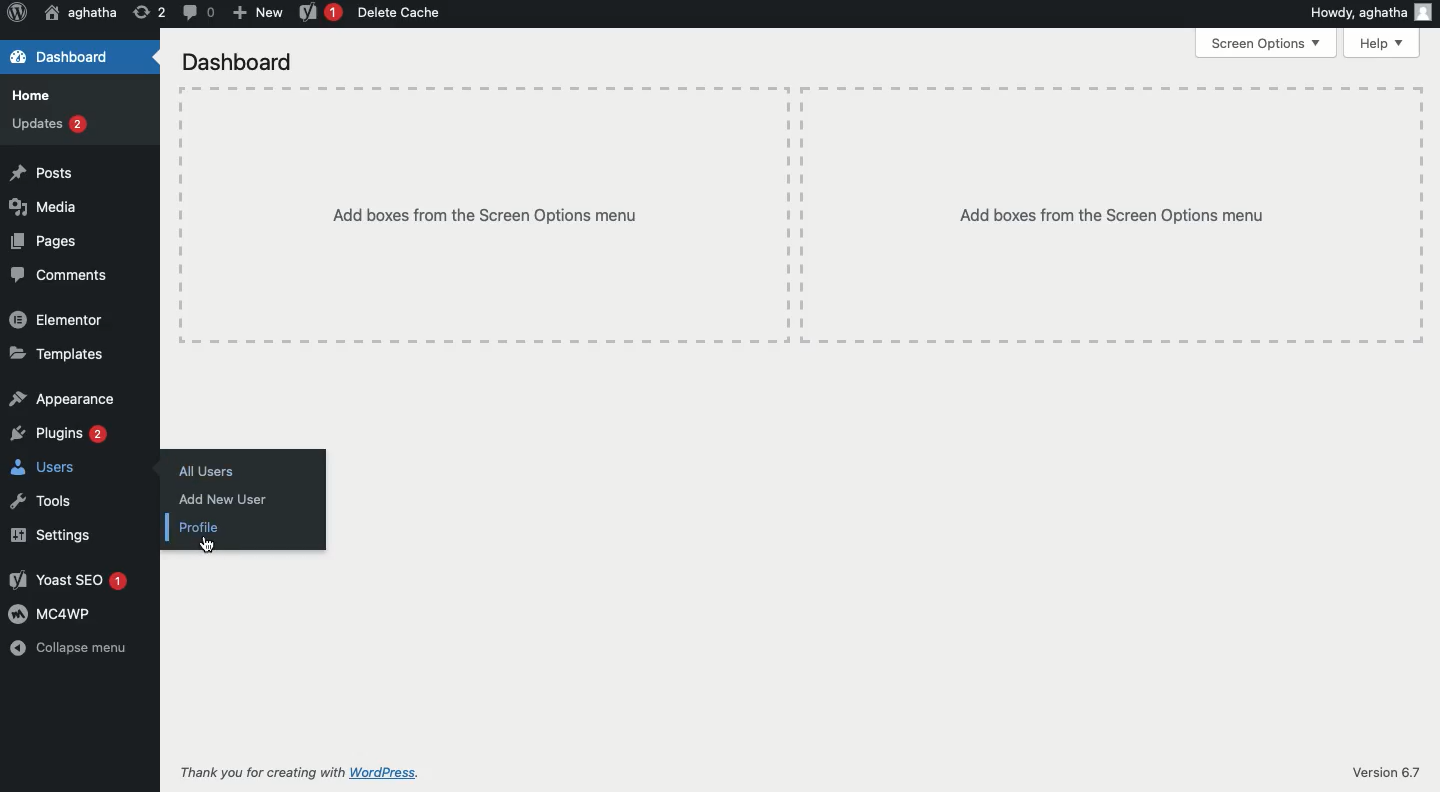  I want to click on Revision, so click(150, 11).